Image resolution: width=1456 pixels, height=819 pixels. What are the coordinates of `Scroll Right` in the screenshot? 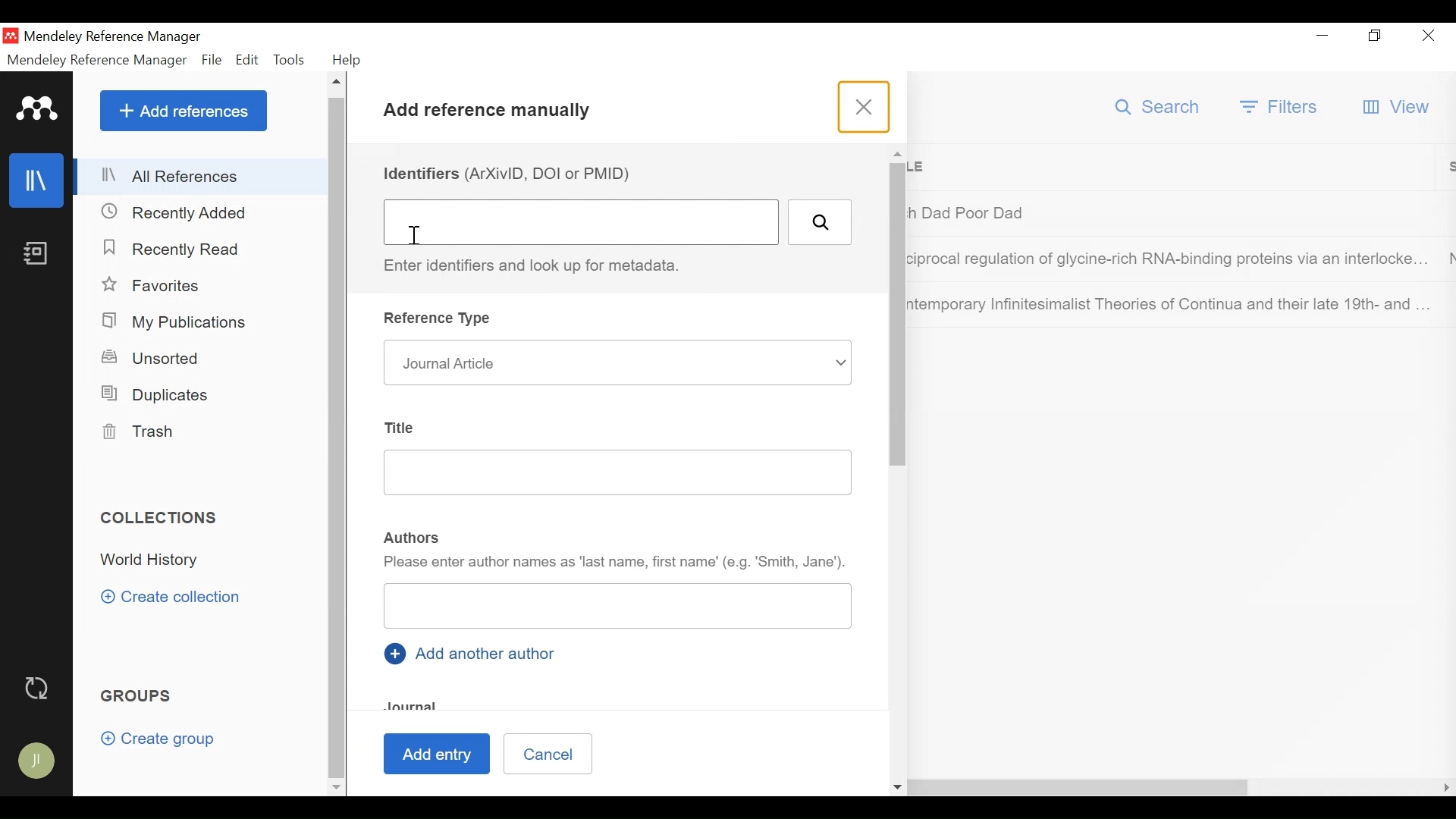 It's located at (1445, 788).